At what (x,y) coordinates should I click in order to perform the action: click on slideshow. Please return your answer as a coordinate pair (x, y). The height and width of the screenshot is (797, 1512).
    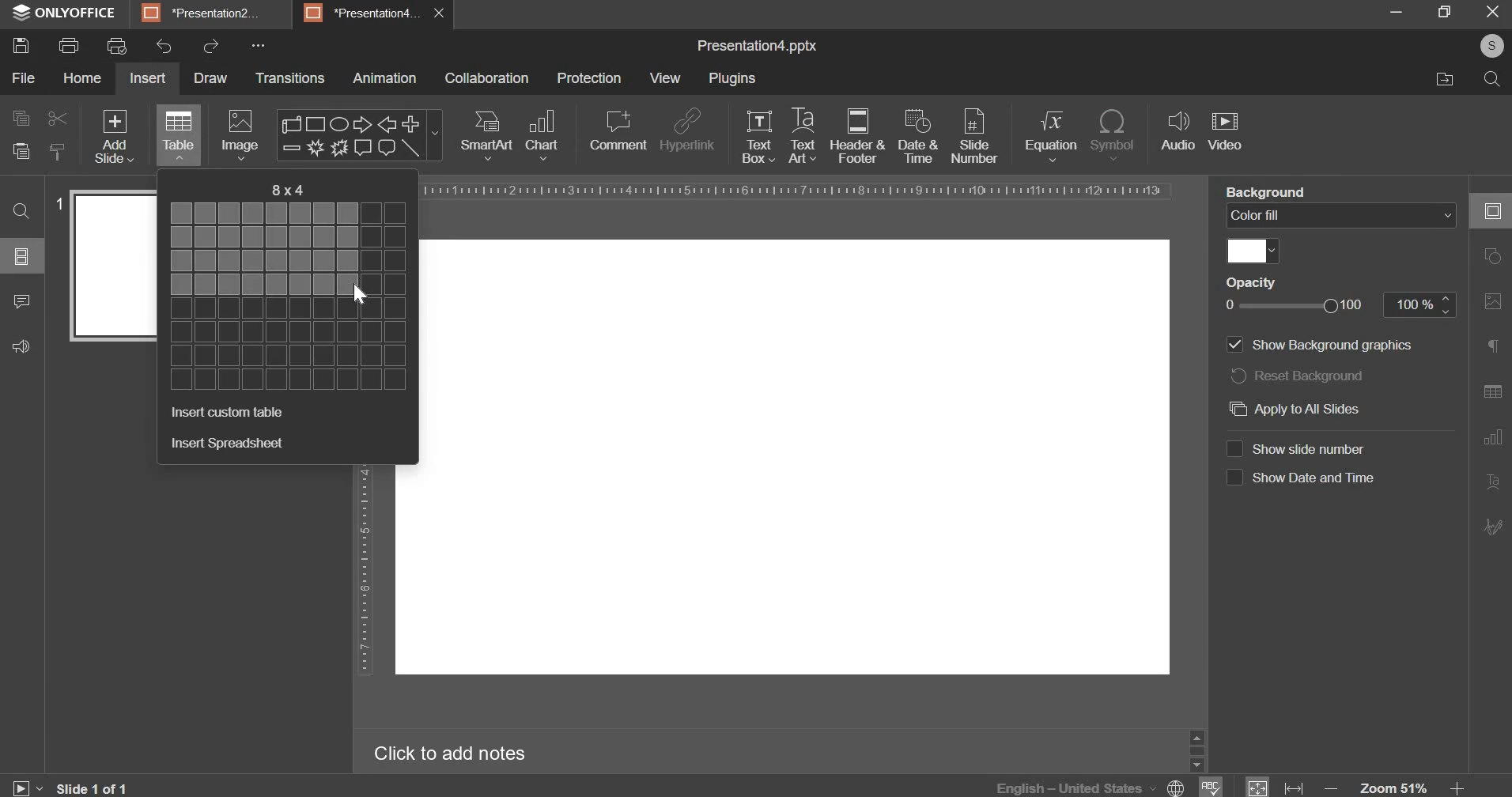
    Looking at the image, I should click on (27, 788).